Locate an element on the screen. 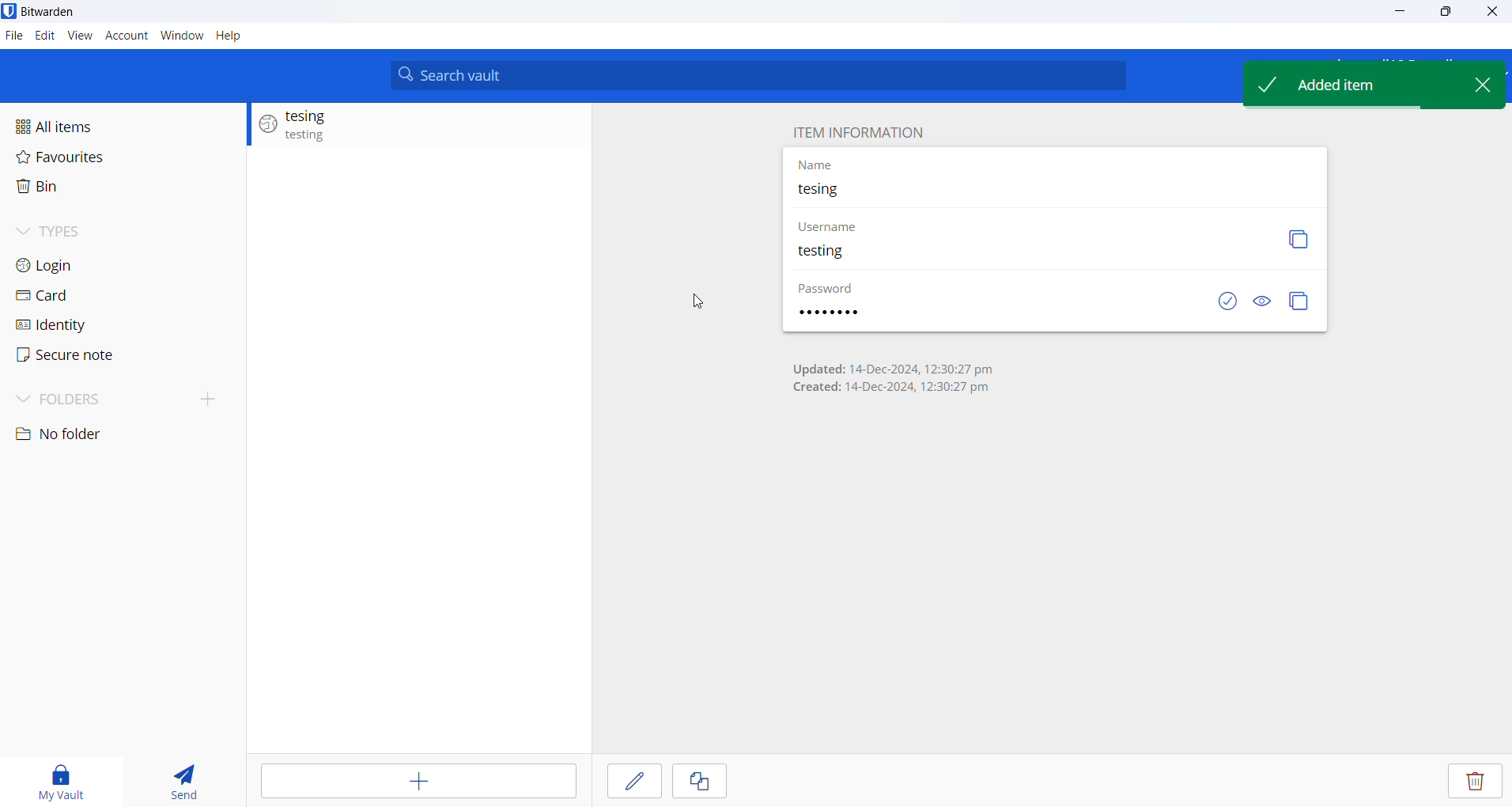 The image size is (1512, 807). copy is located at coordinates (1290, 237).